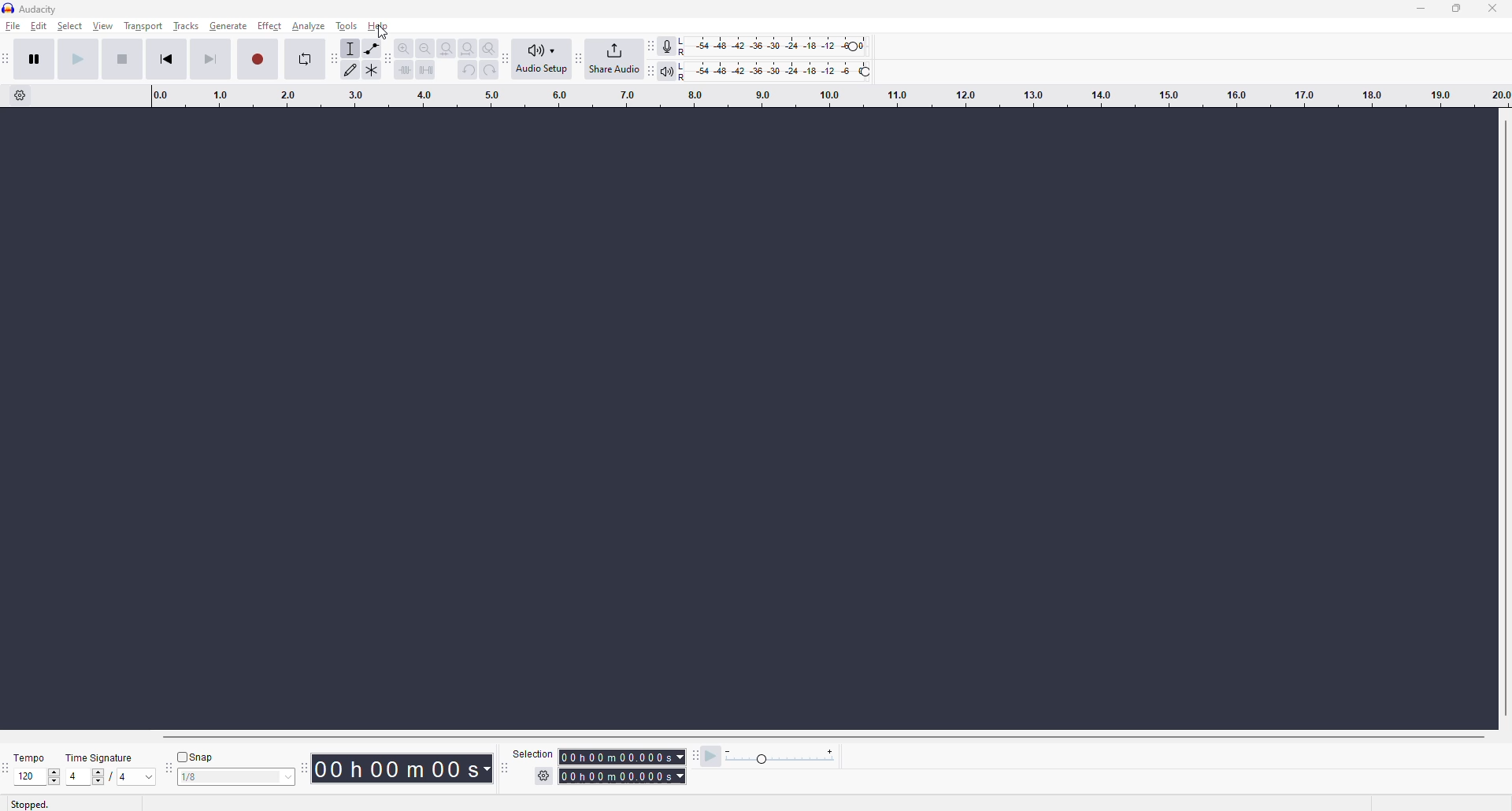 This screenshot has width=1512, height=811. What do you see at coordinates (385, 36) in the screenshot?
I see `cursor` at bounding box center [385, 36].